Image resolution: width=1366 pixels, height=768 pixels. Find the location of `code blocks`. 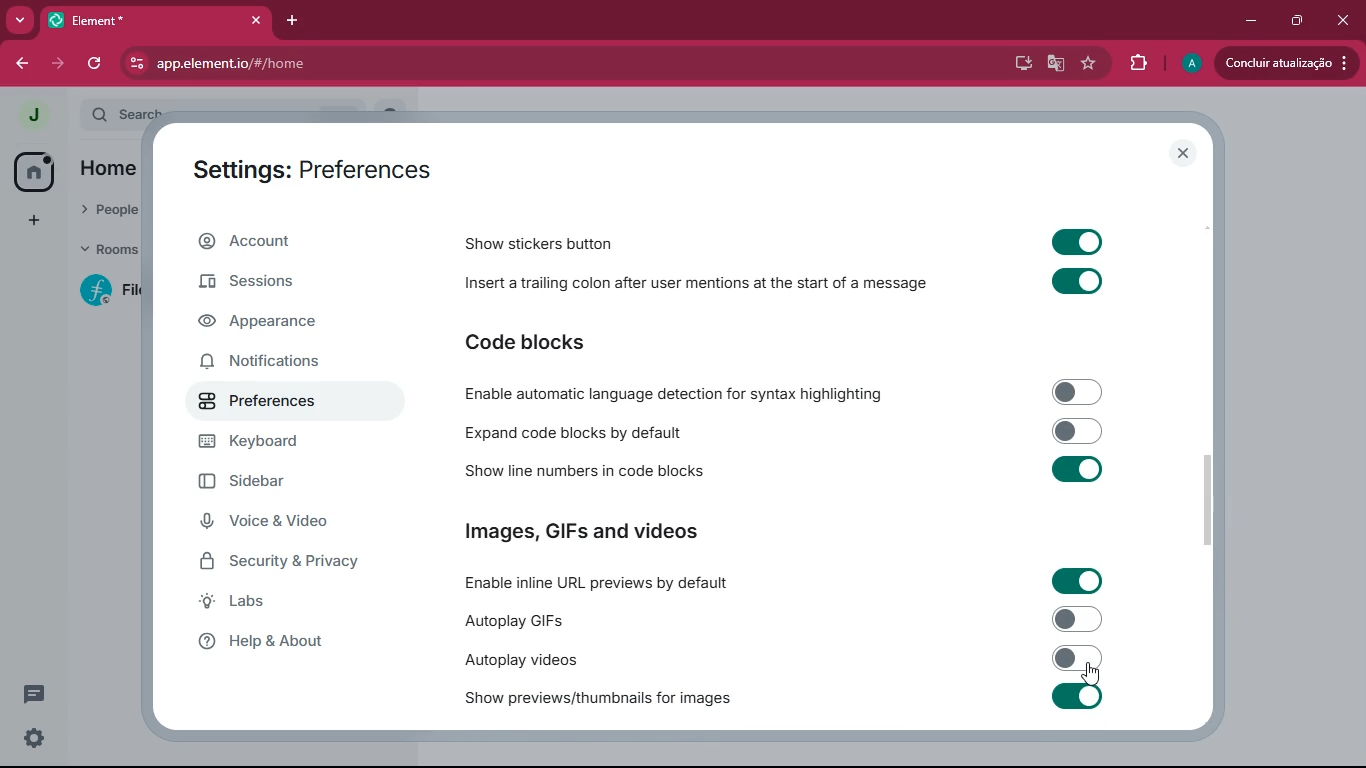

code blocks is located at coordinates (526, 341).